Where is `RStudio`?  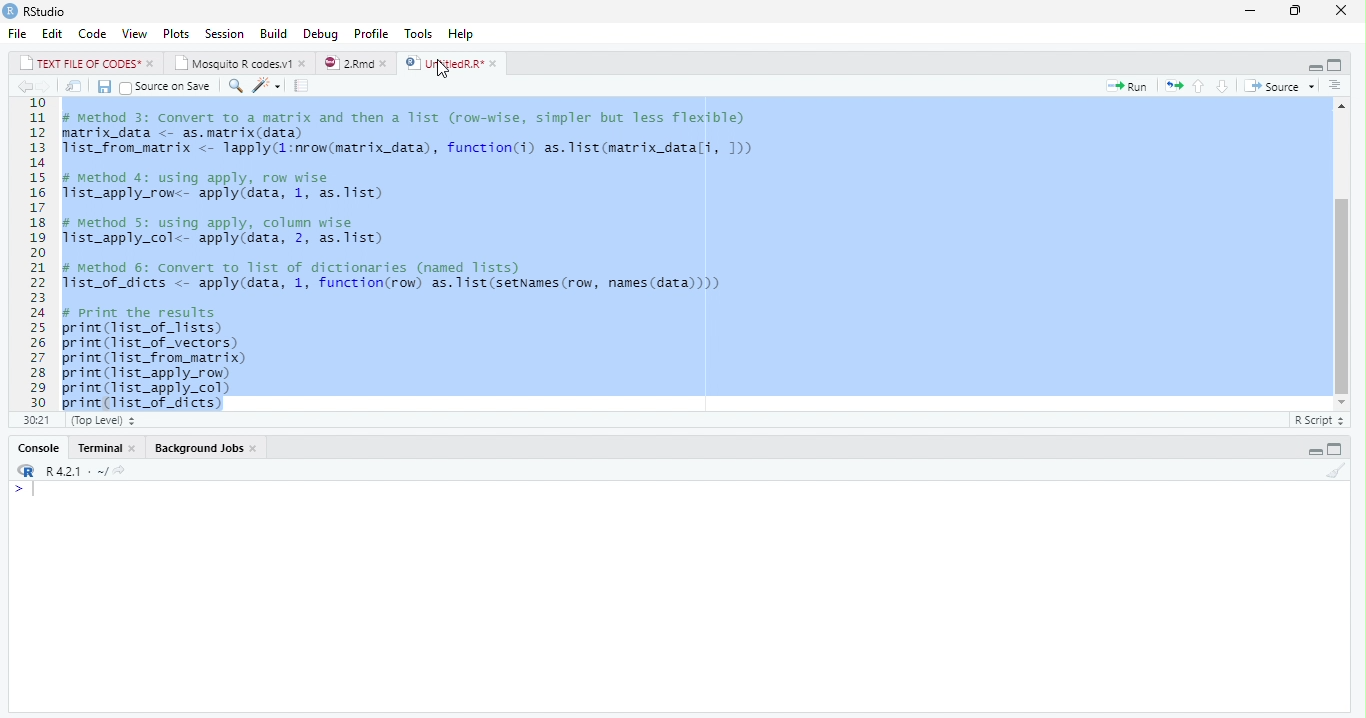
RStudio is located at coordinates (36, 11).